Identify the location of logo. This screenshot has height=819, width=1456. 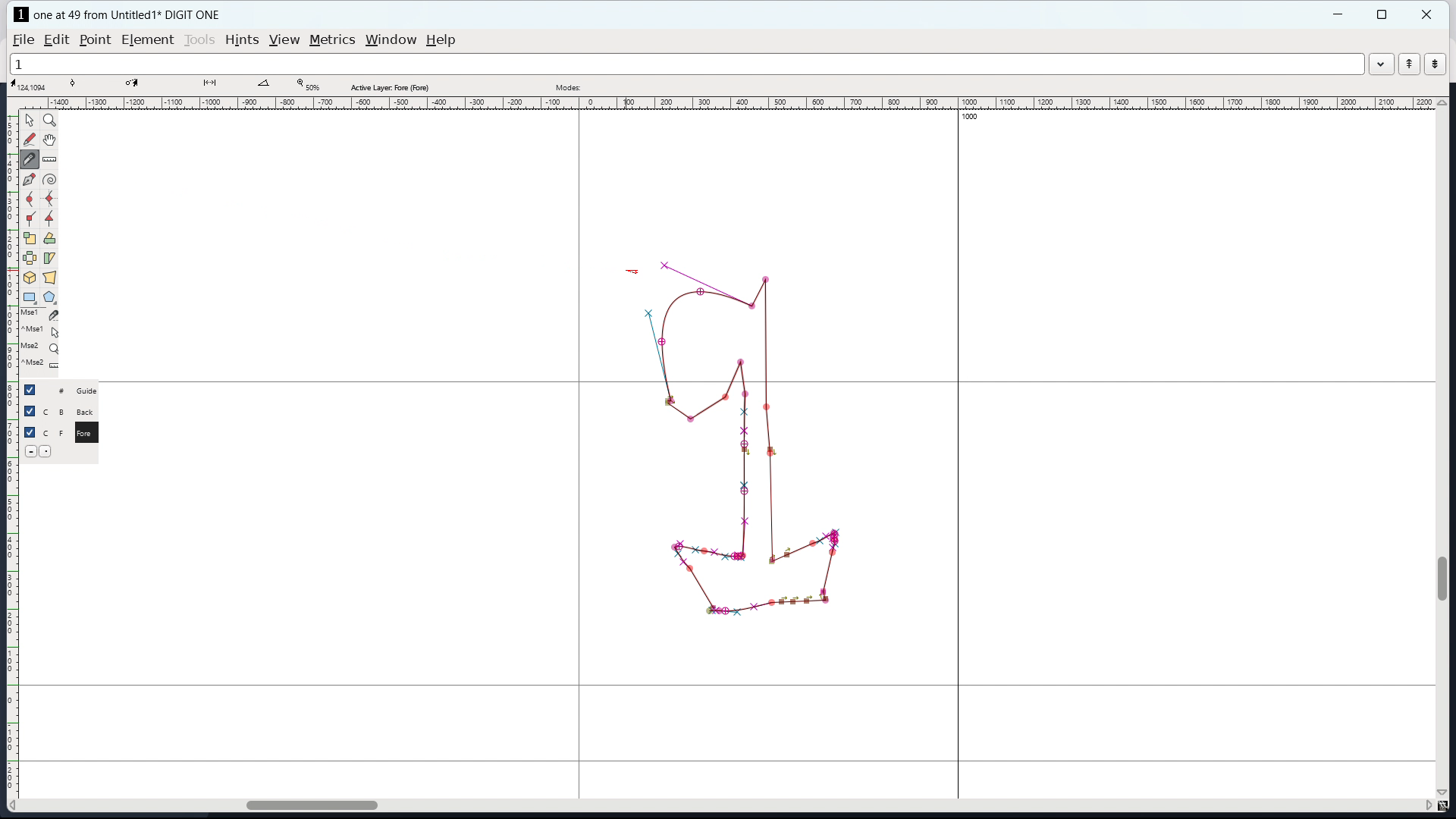
(21, 14).